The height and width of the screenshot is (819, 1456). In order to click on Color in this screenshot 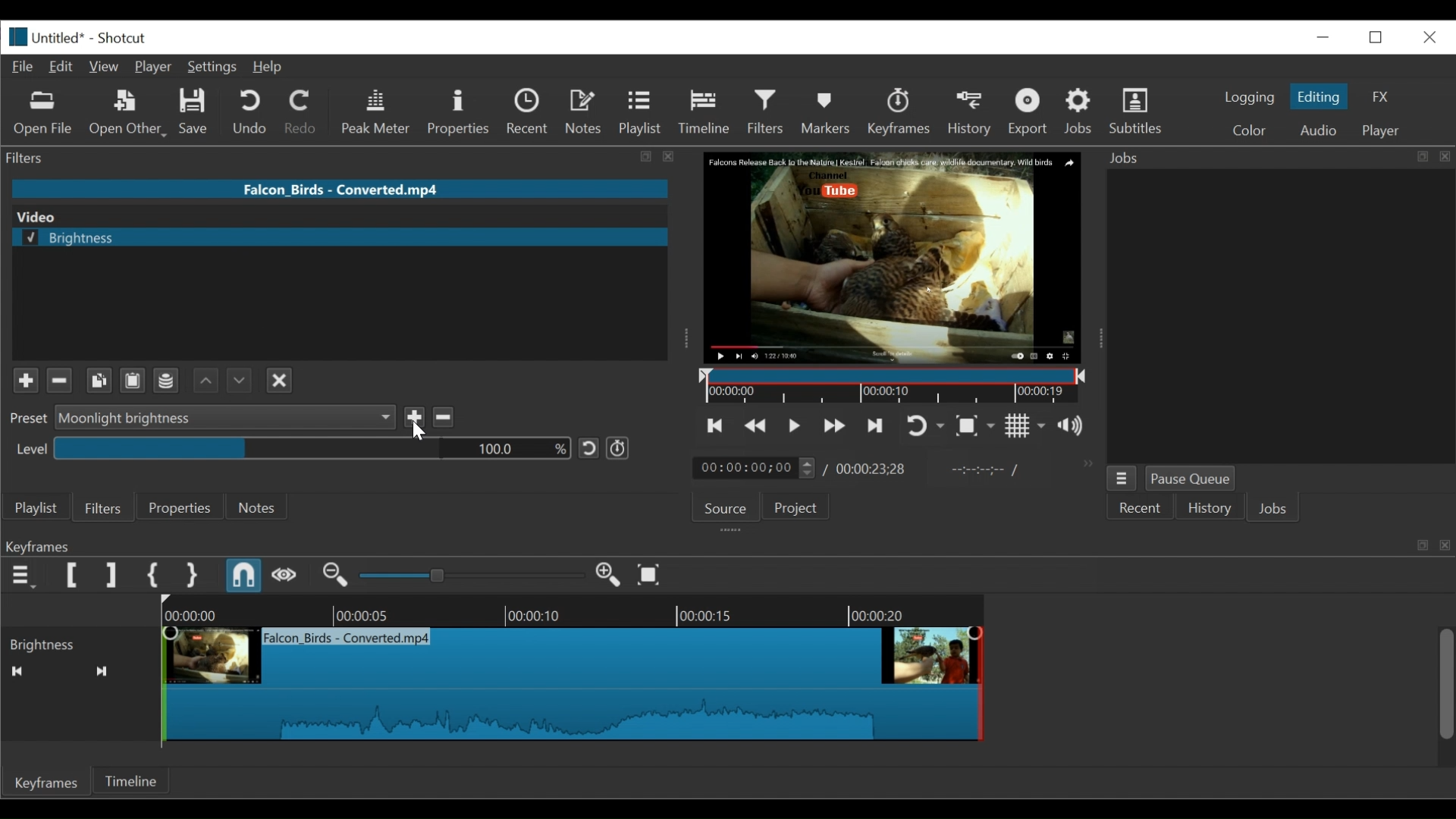, I will do `click(1250, 129)`.